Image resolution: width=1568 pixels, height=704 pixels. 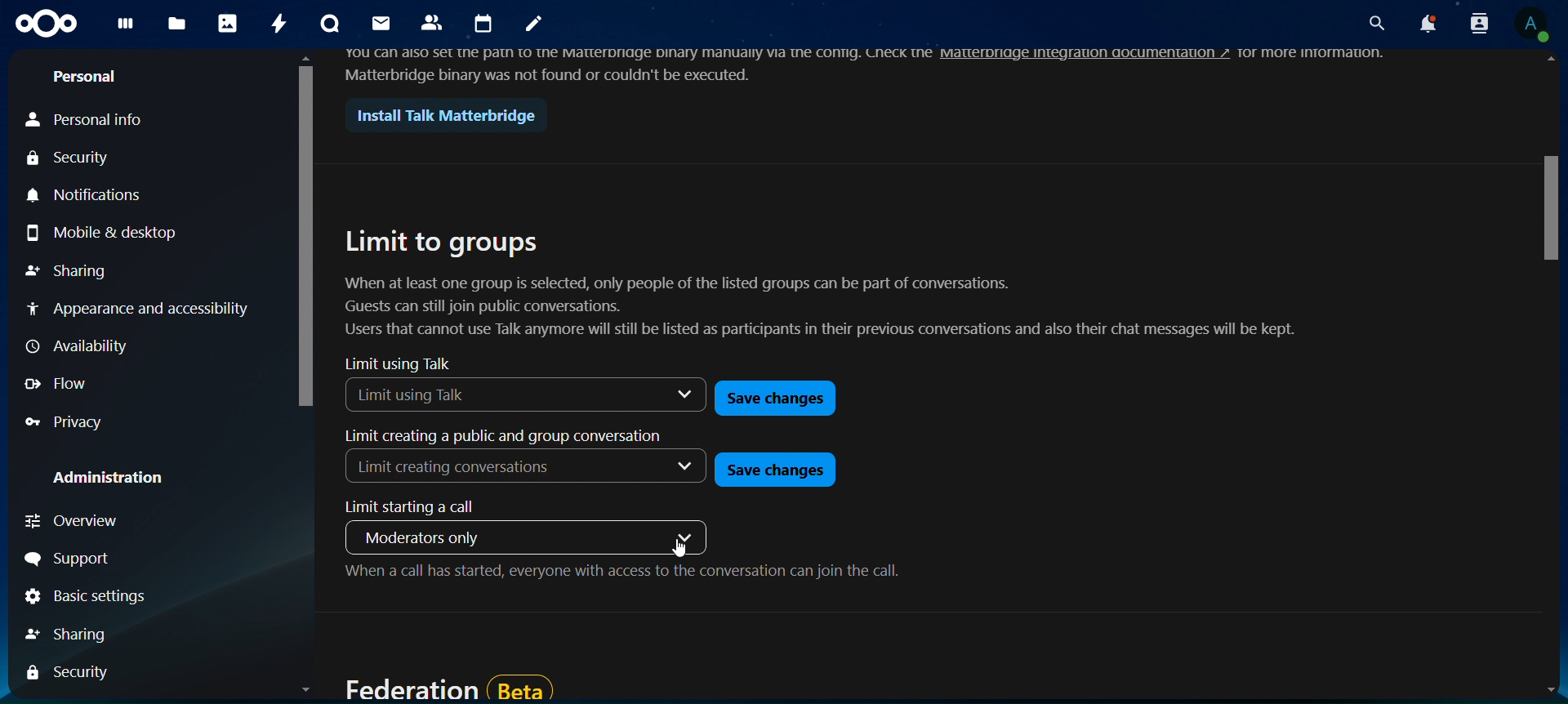 What do you see at coordinates (48, 24) in the screenshot?
I see `icon` at bounding box center [48, 24].